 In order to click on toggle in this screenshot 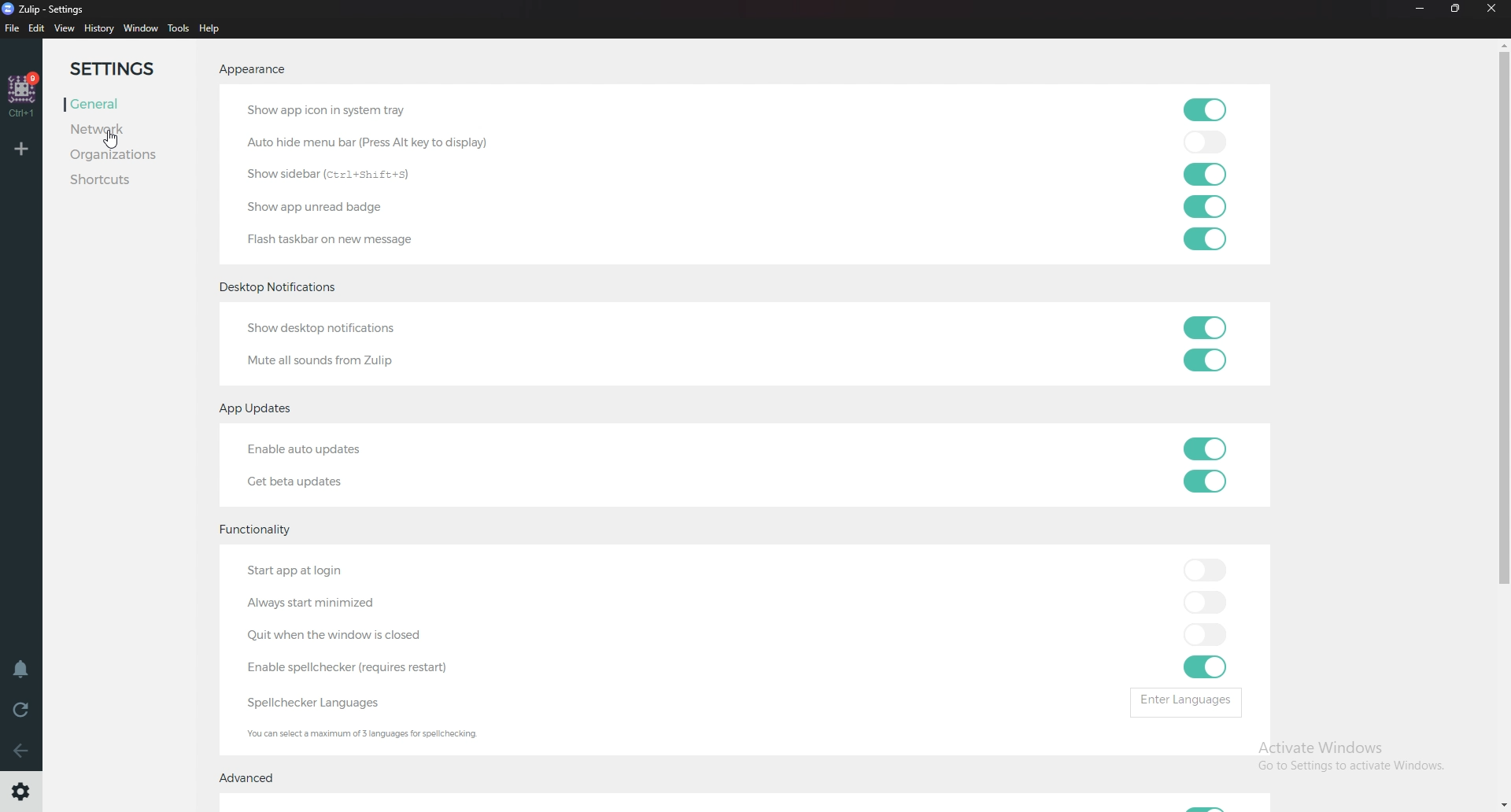, I will do `click(1204, 208)`.